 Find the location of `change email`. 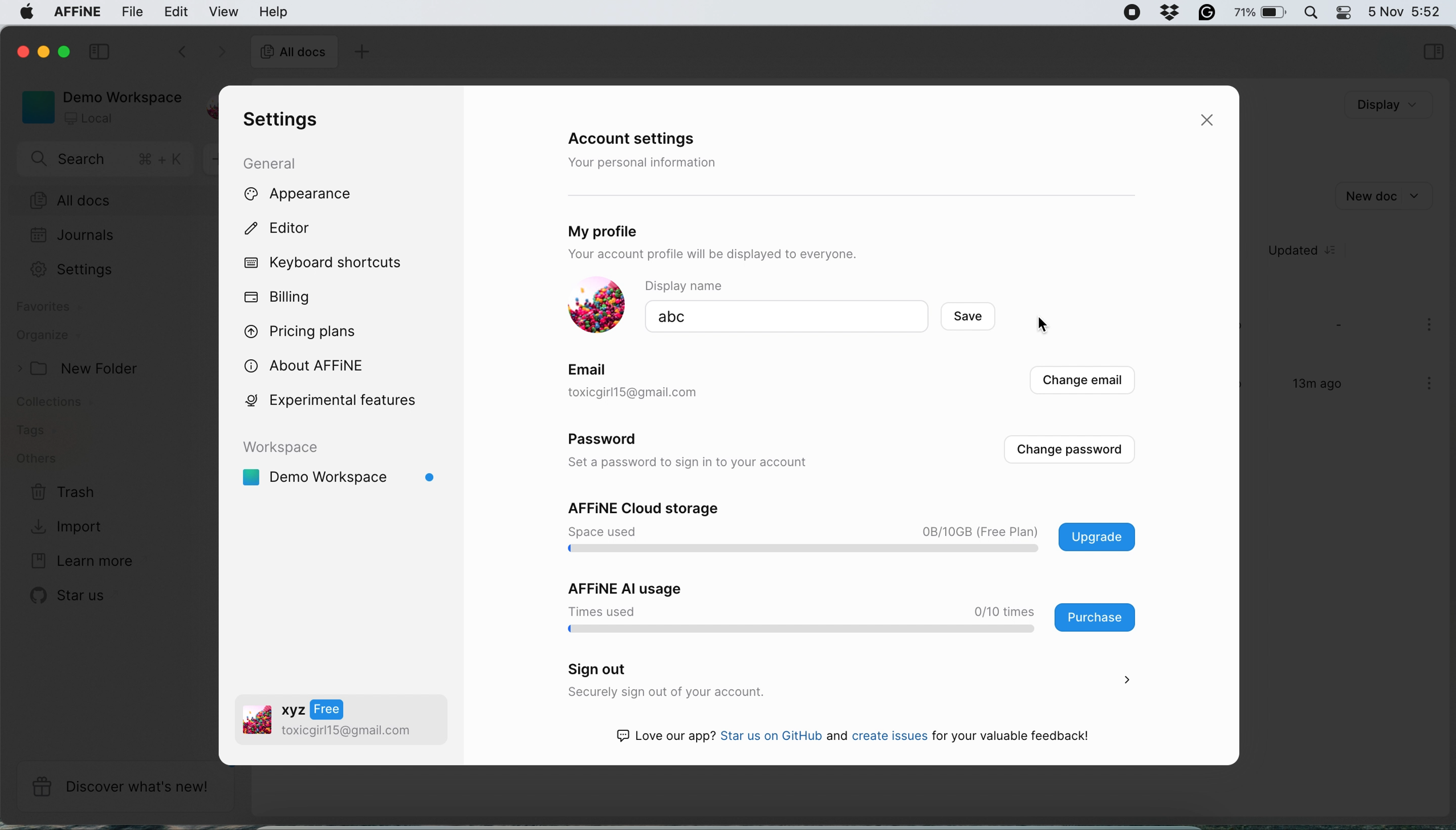

change email is located at coordinates (1080, 383).